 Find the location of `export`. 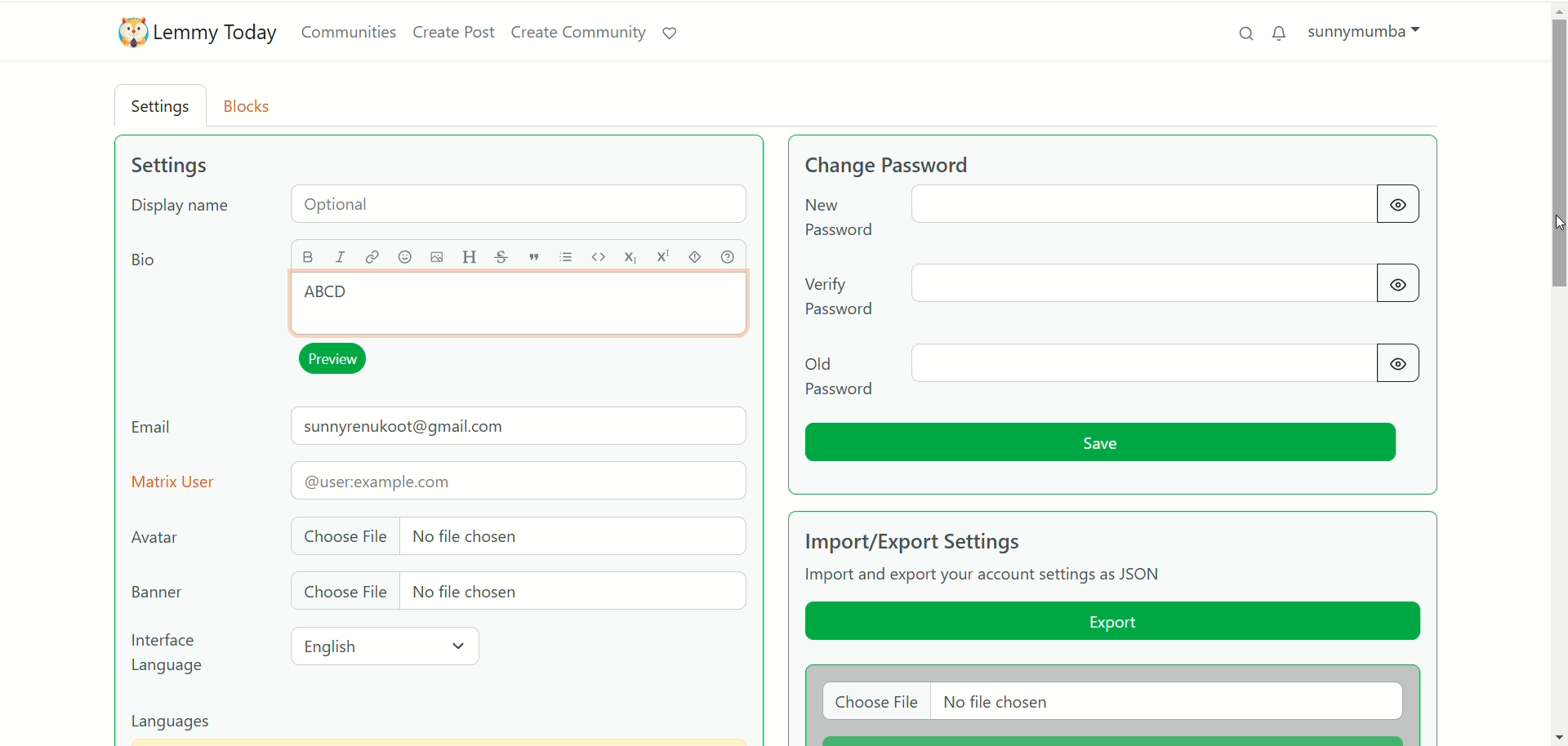

export is located at coordinates (1111, 624).